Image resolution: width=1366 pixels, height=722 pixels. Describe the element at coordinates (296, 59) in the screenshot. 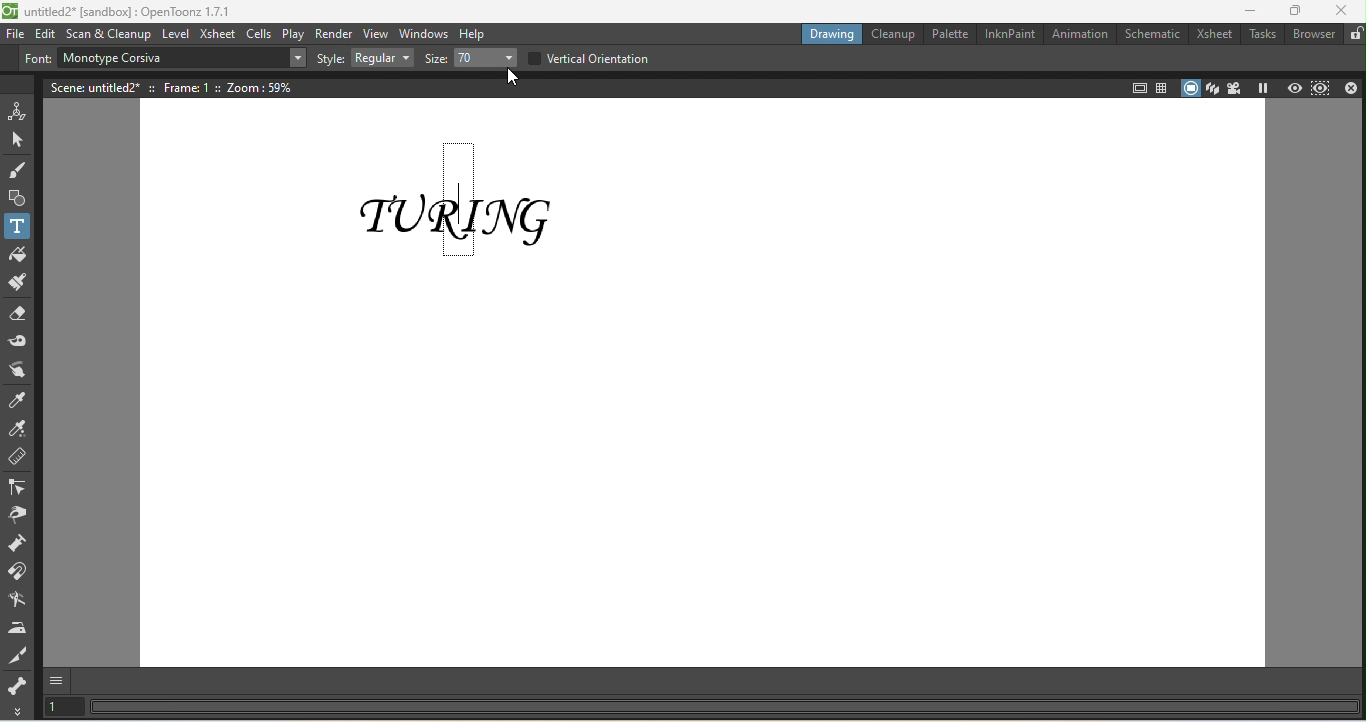

I see `Drop down` at that location.